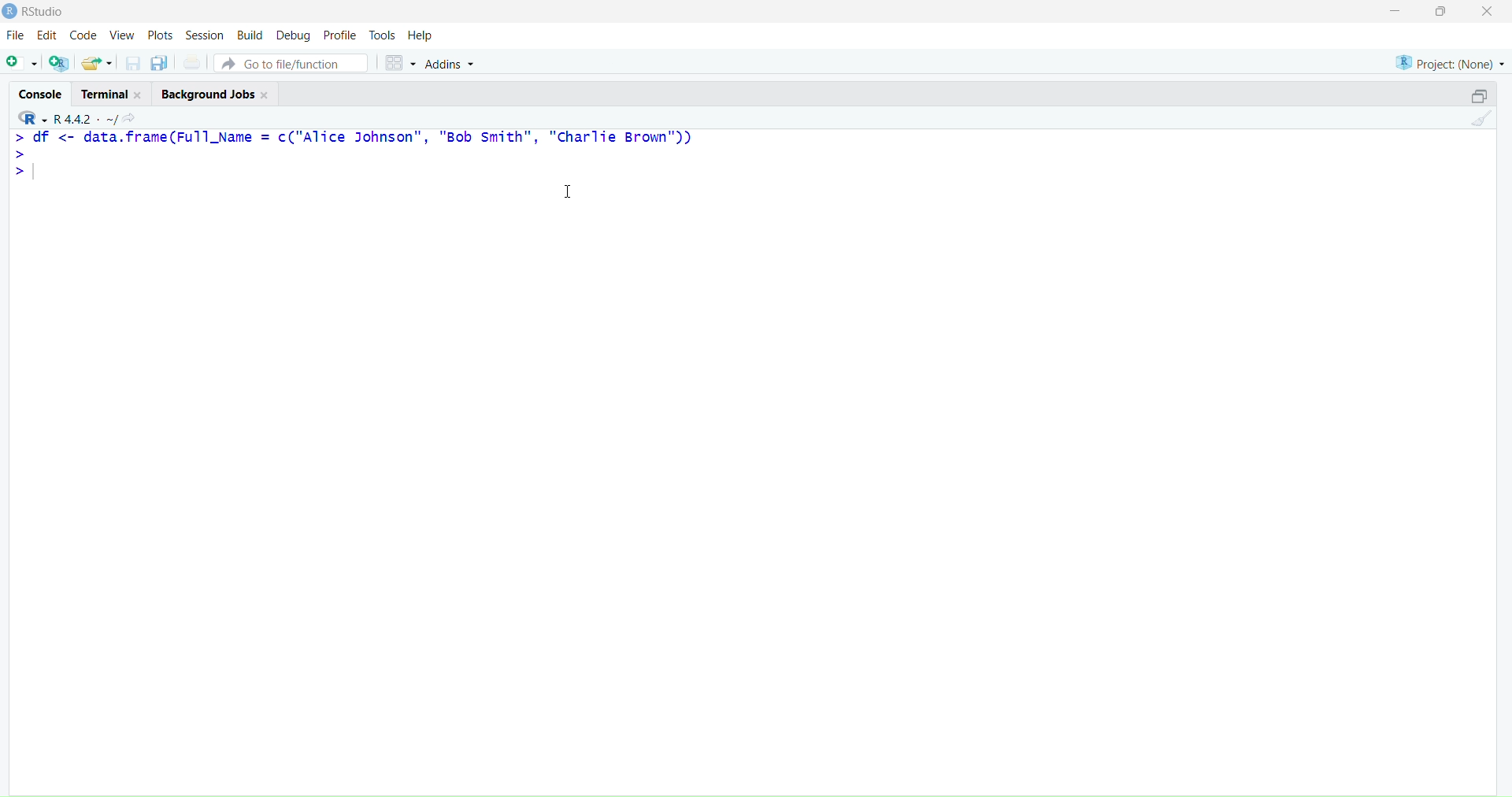  I want to click on Profile, so click(340, 35).